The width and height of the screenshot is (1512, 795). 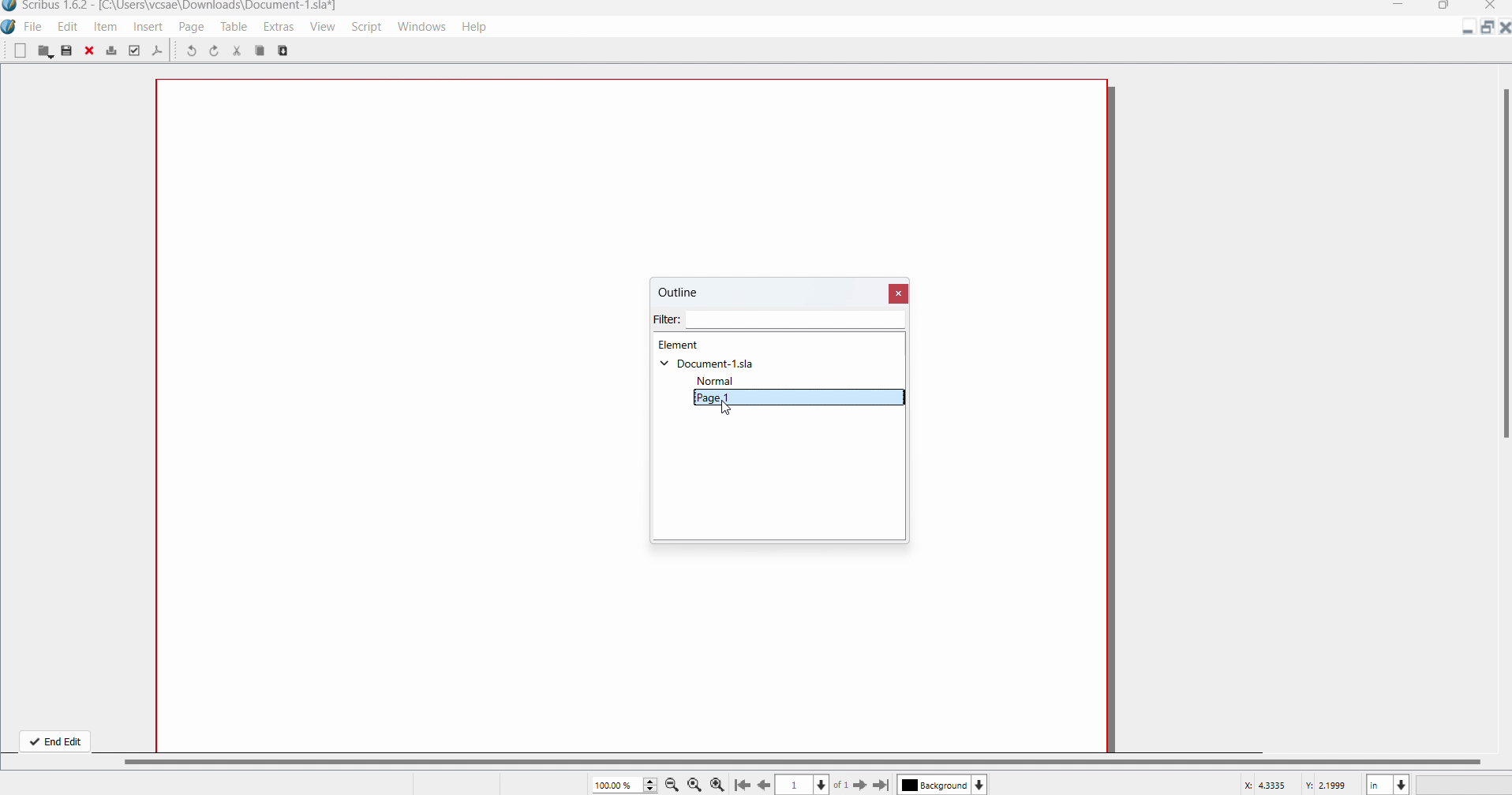 What do you see at coordinates (421, 27) in the screenshot?
I see `Windows` at bounding box center [421, 27].